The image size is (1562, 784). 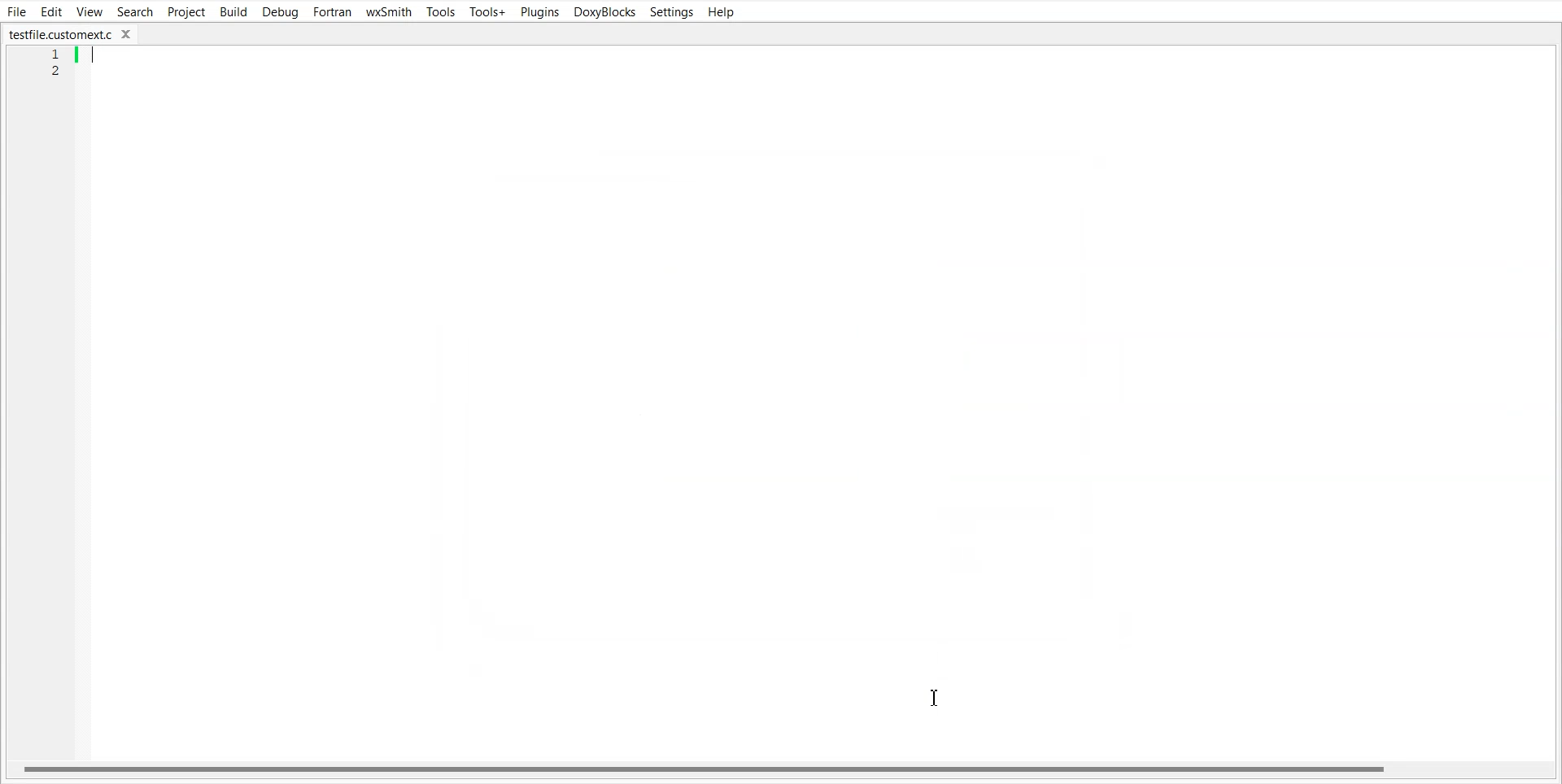 I want to click on Tools, so click(x=440, y=11).